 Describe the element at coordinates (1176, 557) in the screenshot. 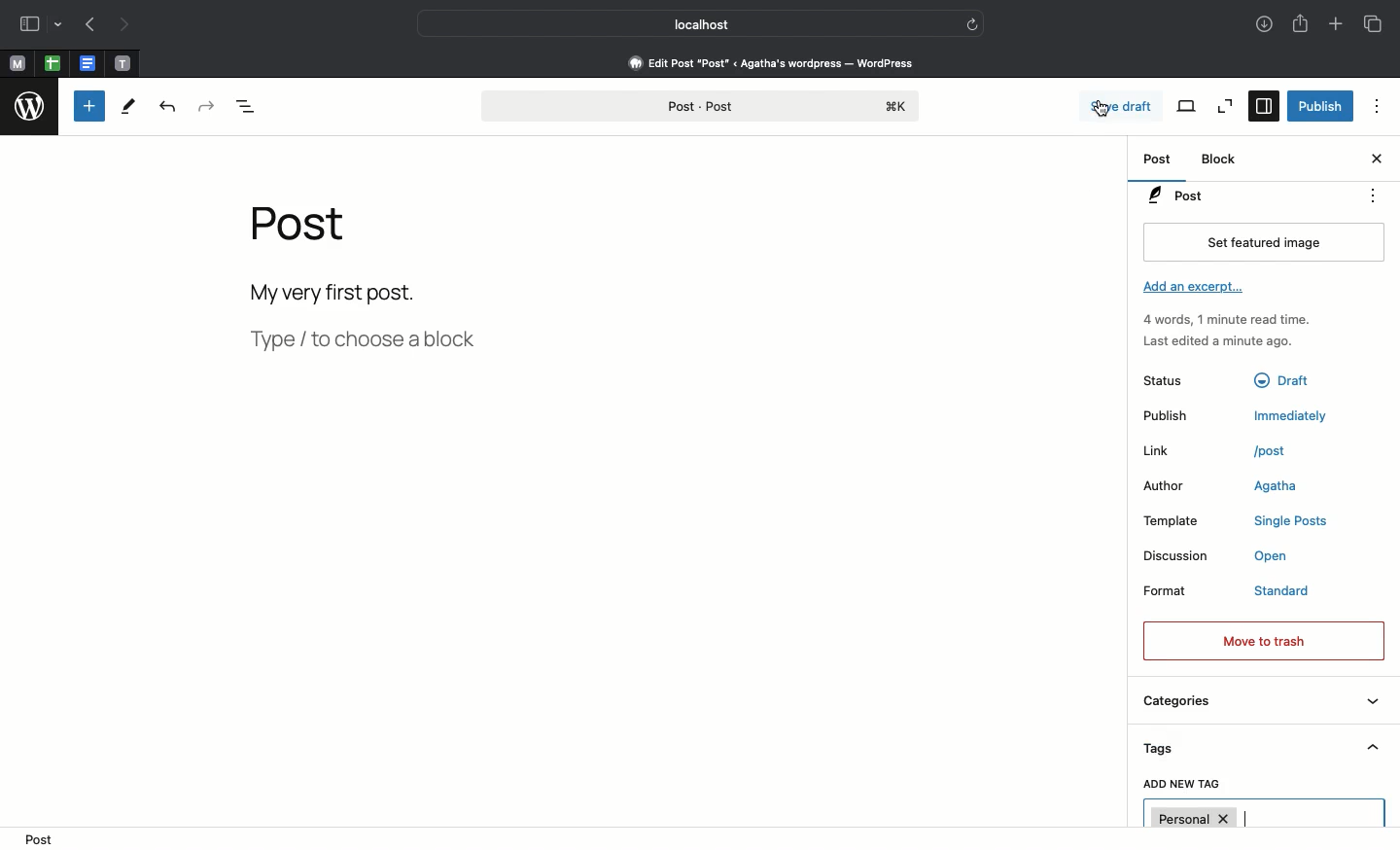

I see `Discussion` at that location.